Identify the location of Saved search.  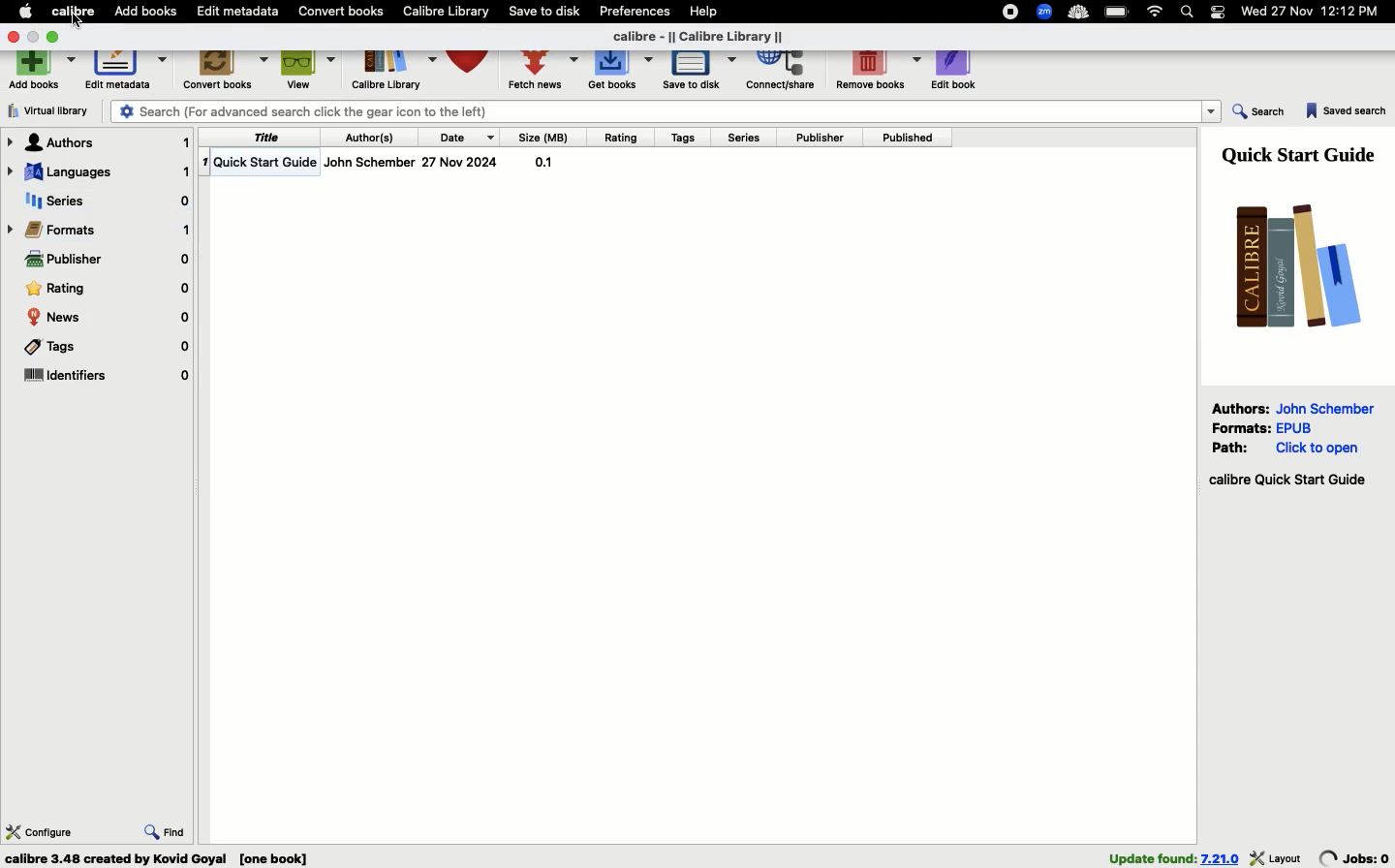
(1347, 112).